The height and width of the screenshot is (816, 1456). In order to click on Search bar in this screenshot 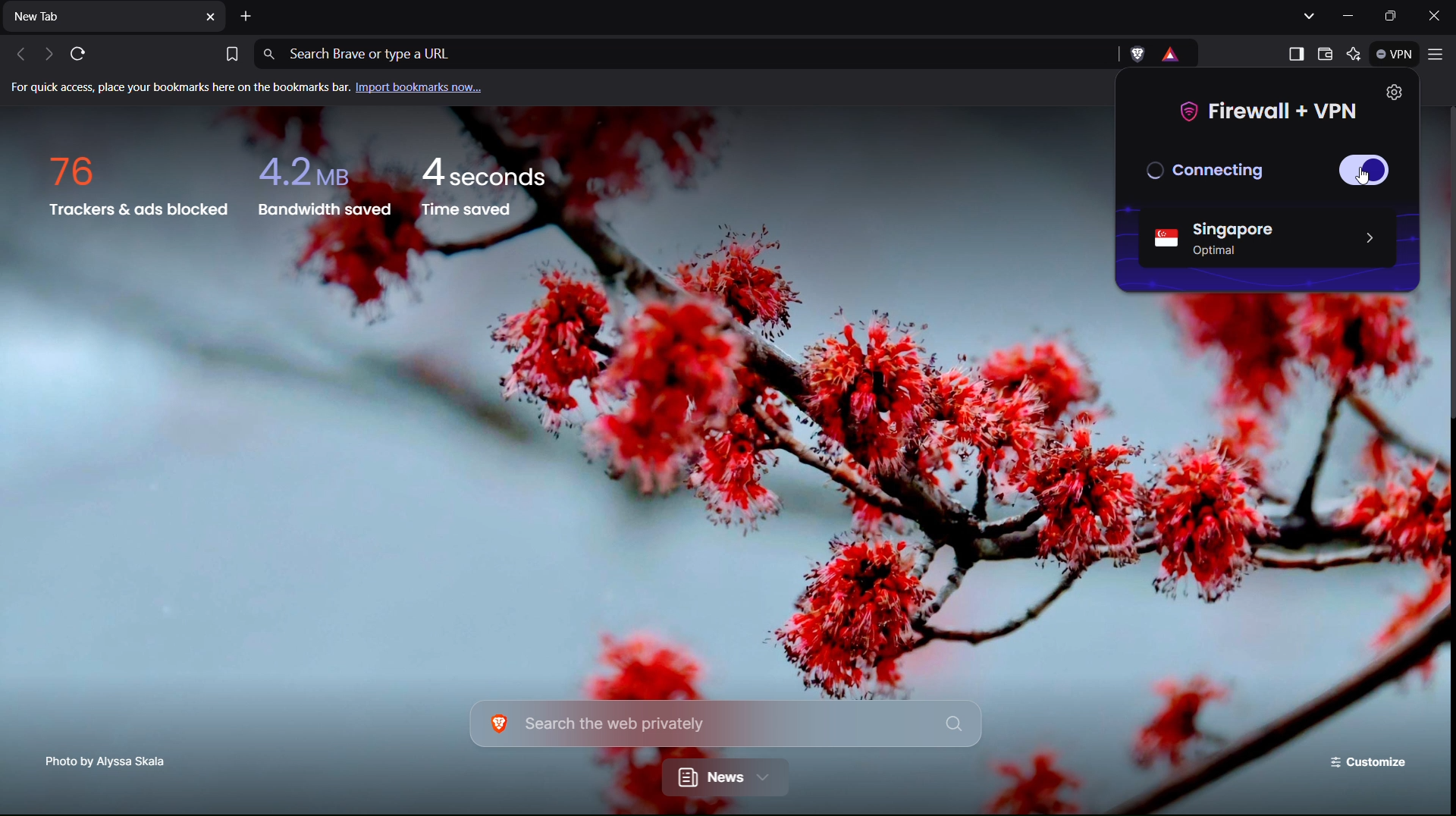, I will do `click(727, 722)`.